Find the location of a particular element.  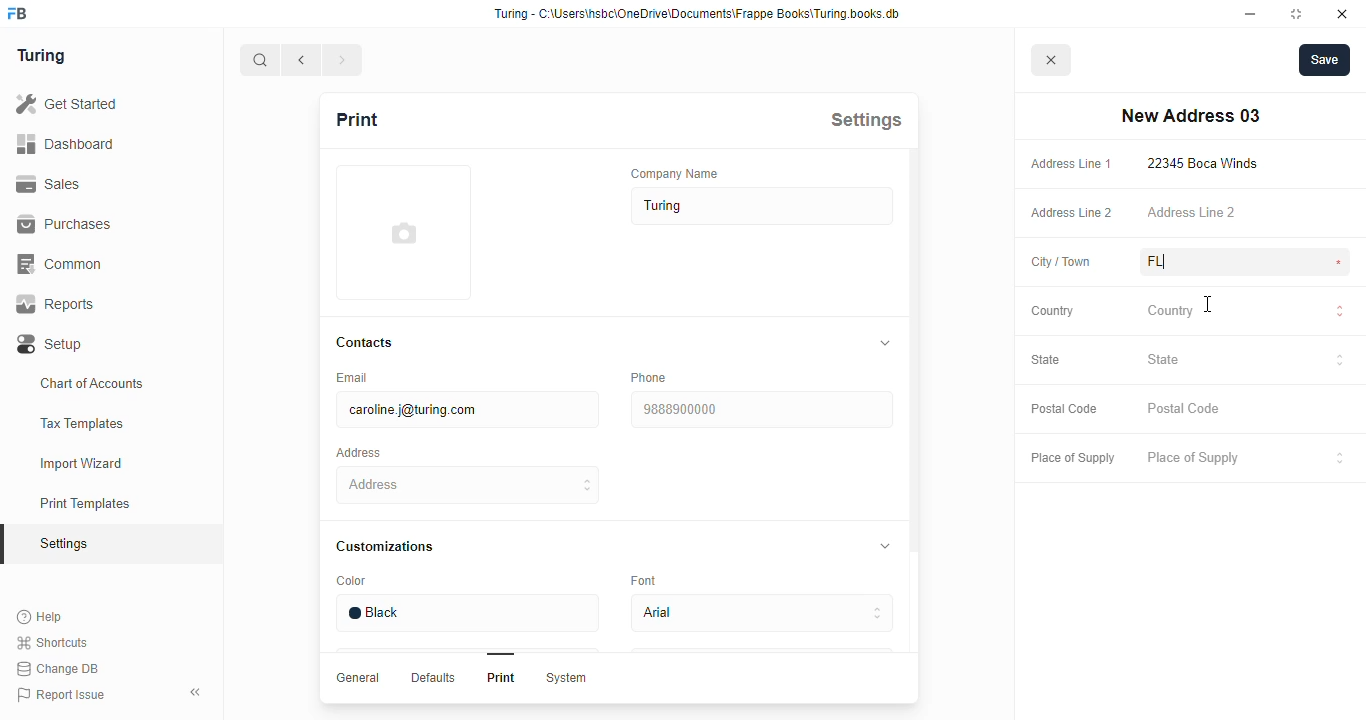

arial is located at coordinates (761, 614).